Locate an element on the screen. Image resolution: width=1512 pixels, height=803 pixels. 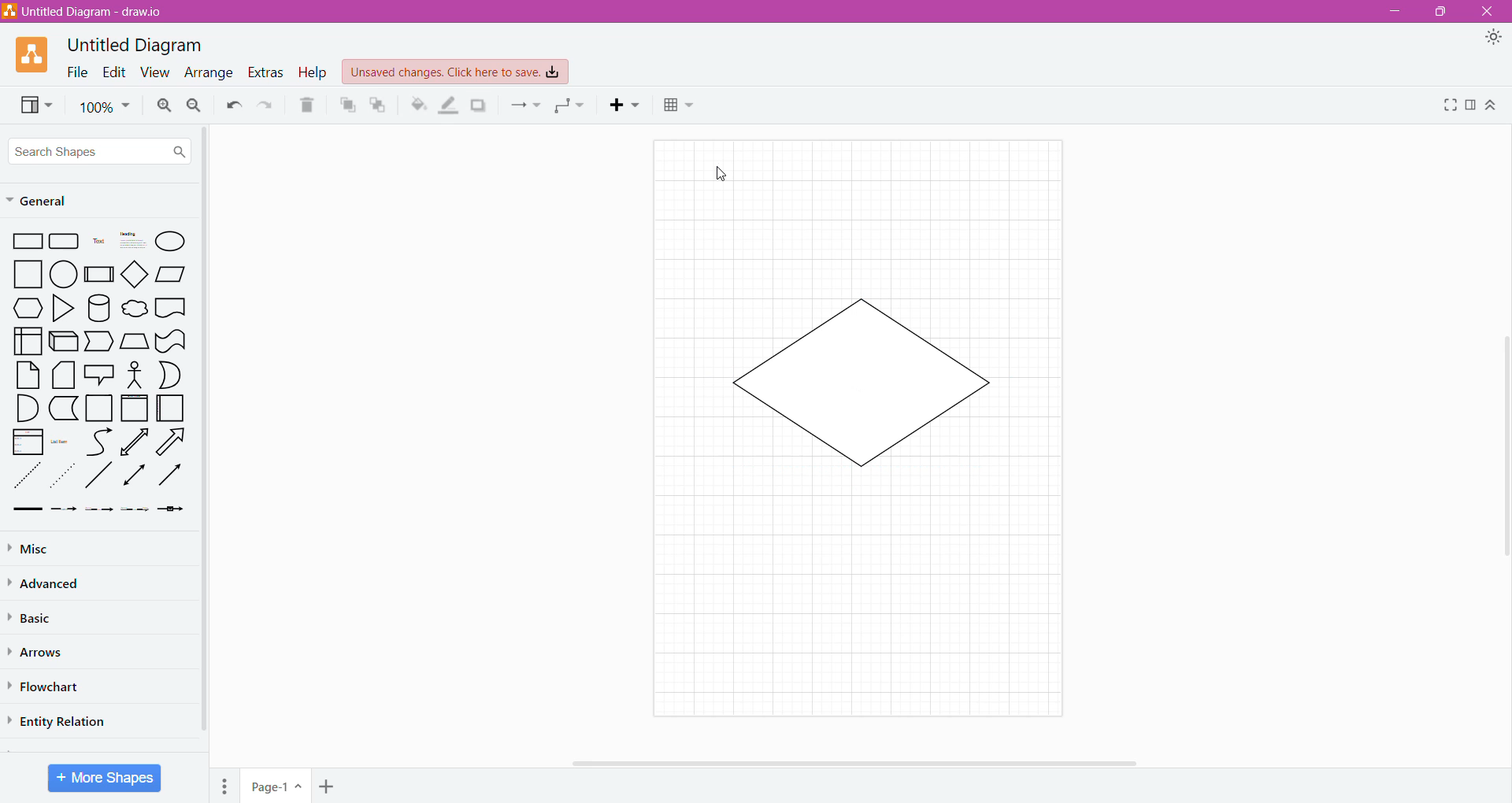
Arrange is located at coordinates (207, 74).